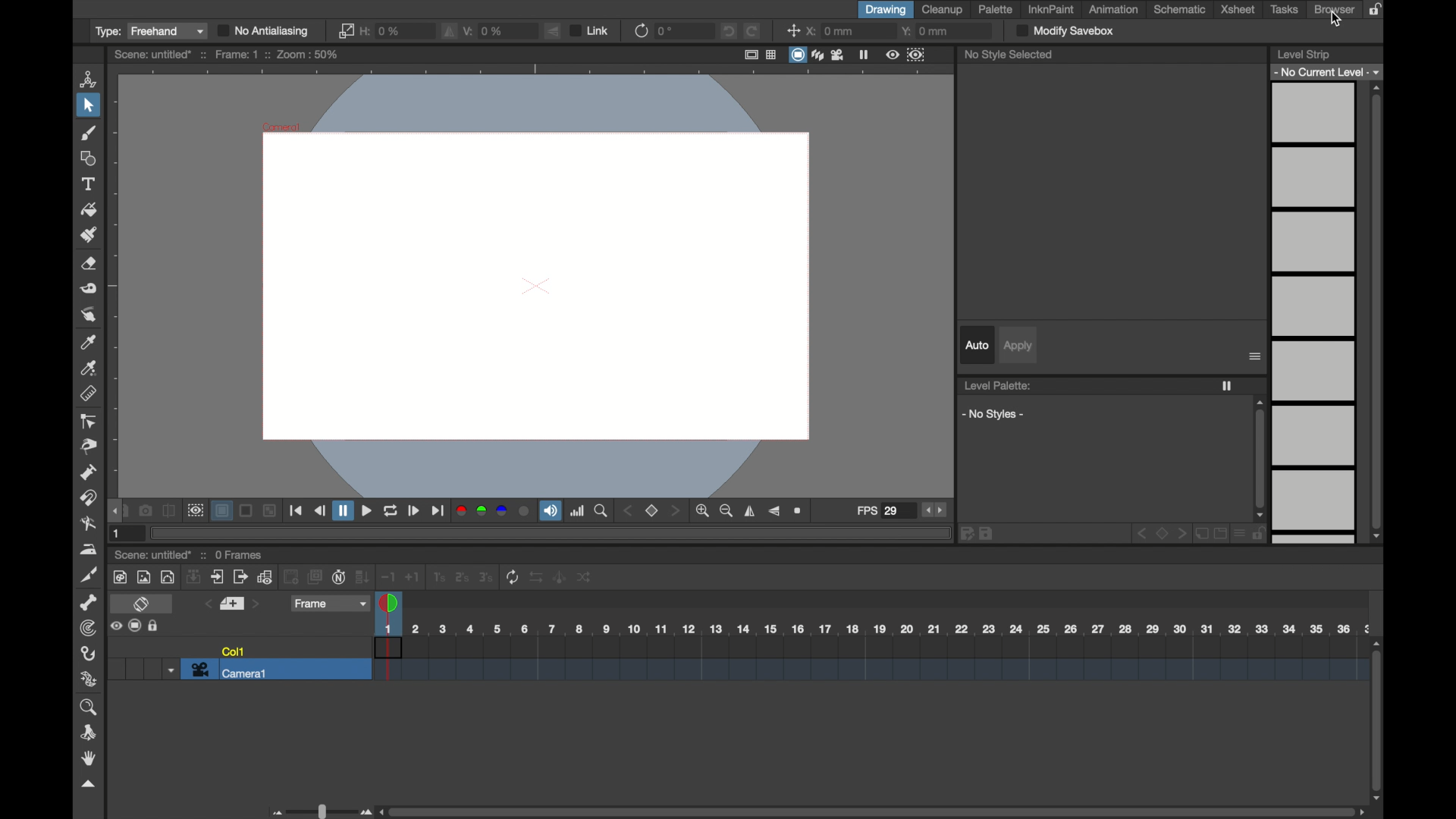 The height and width of the screenshot is (819, 1456). What do you see at coordinates (89, 653) in the screenshot?
I see `hook tool` at bounding box center [89, 653].